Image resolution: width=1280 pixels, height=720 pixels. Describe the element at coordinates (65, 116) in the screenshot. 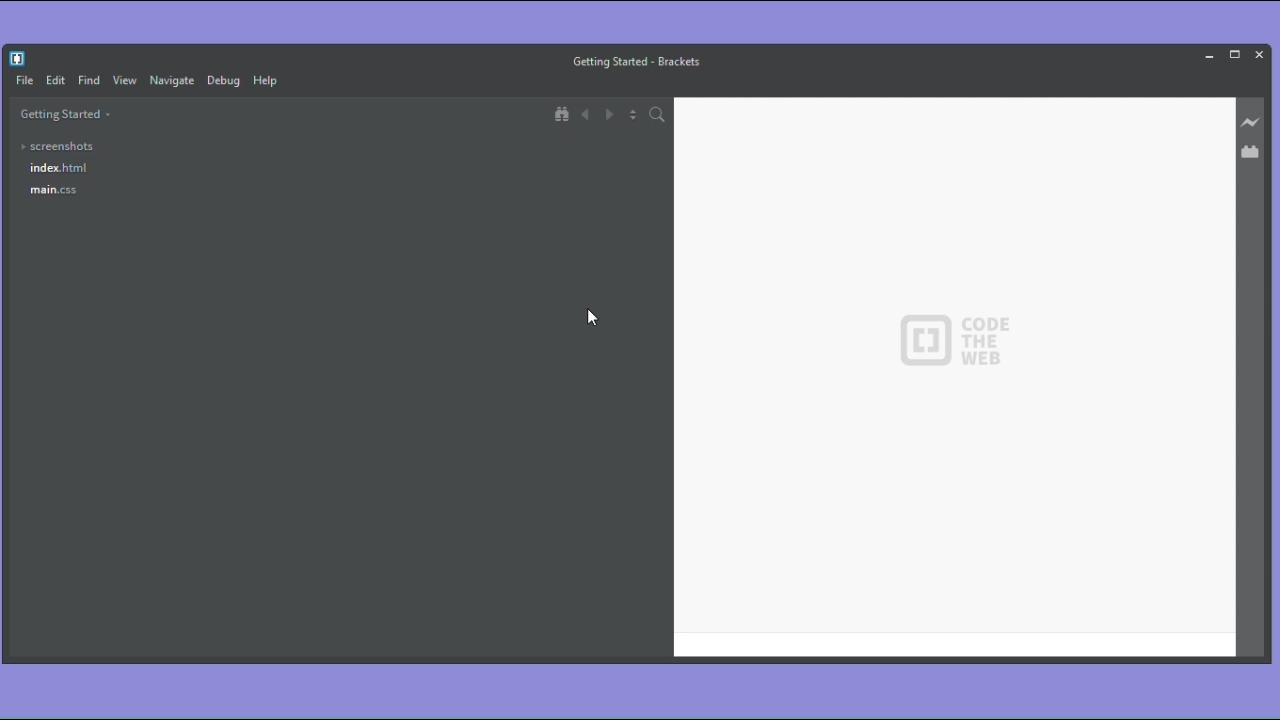

I see `Getting started` at that location.